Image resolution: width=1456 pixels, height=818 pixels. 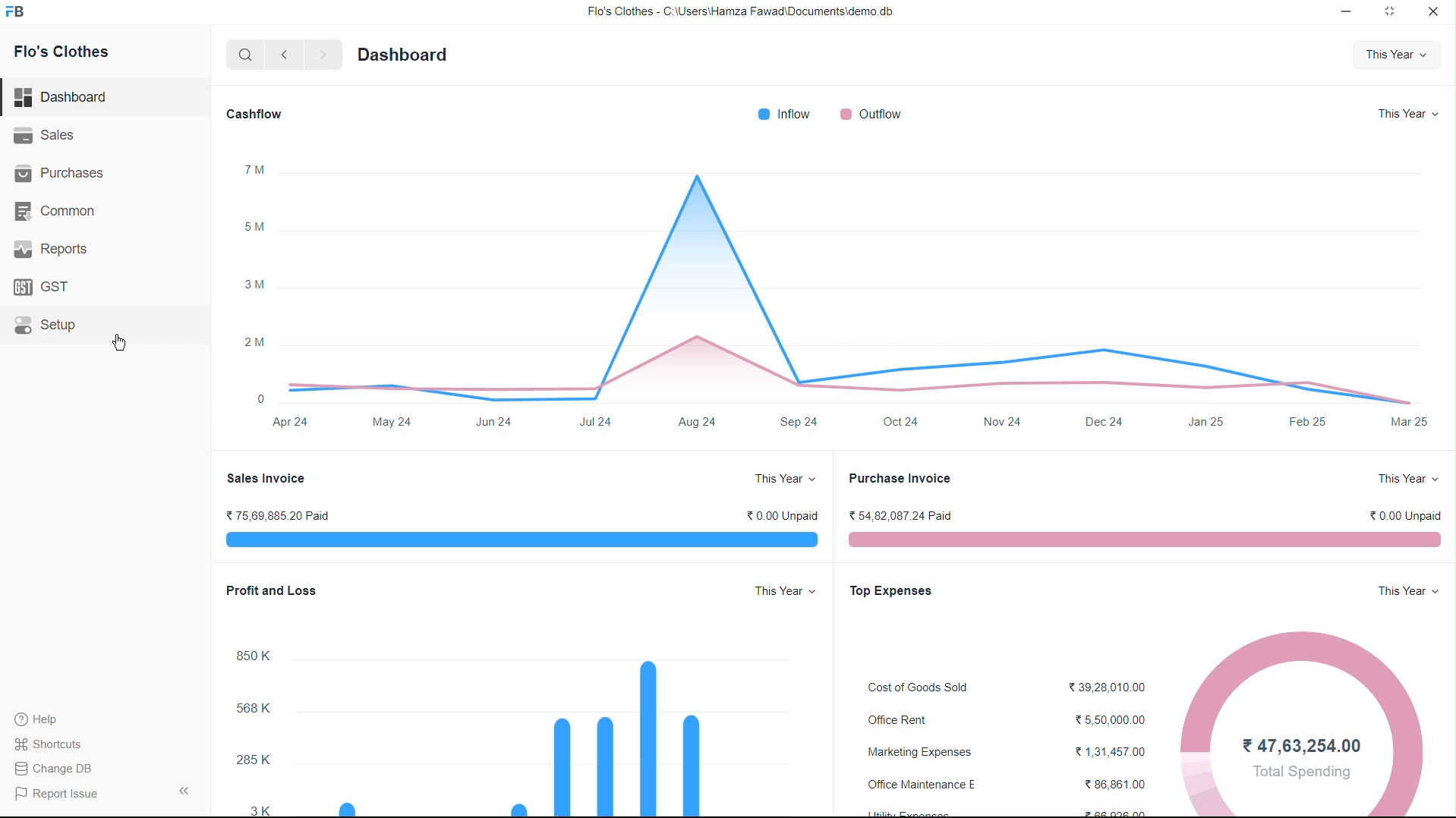 What do you see at coordinates (43, 719) in the screenshot?
I see `Help` at bounding box center [43, 719].